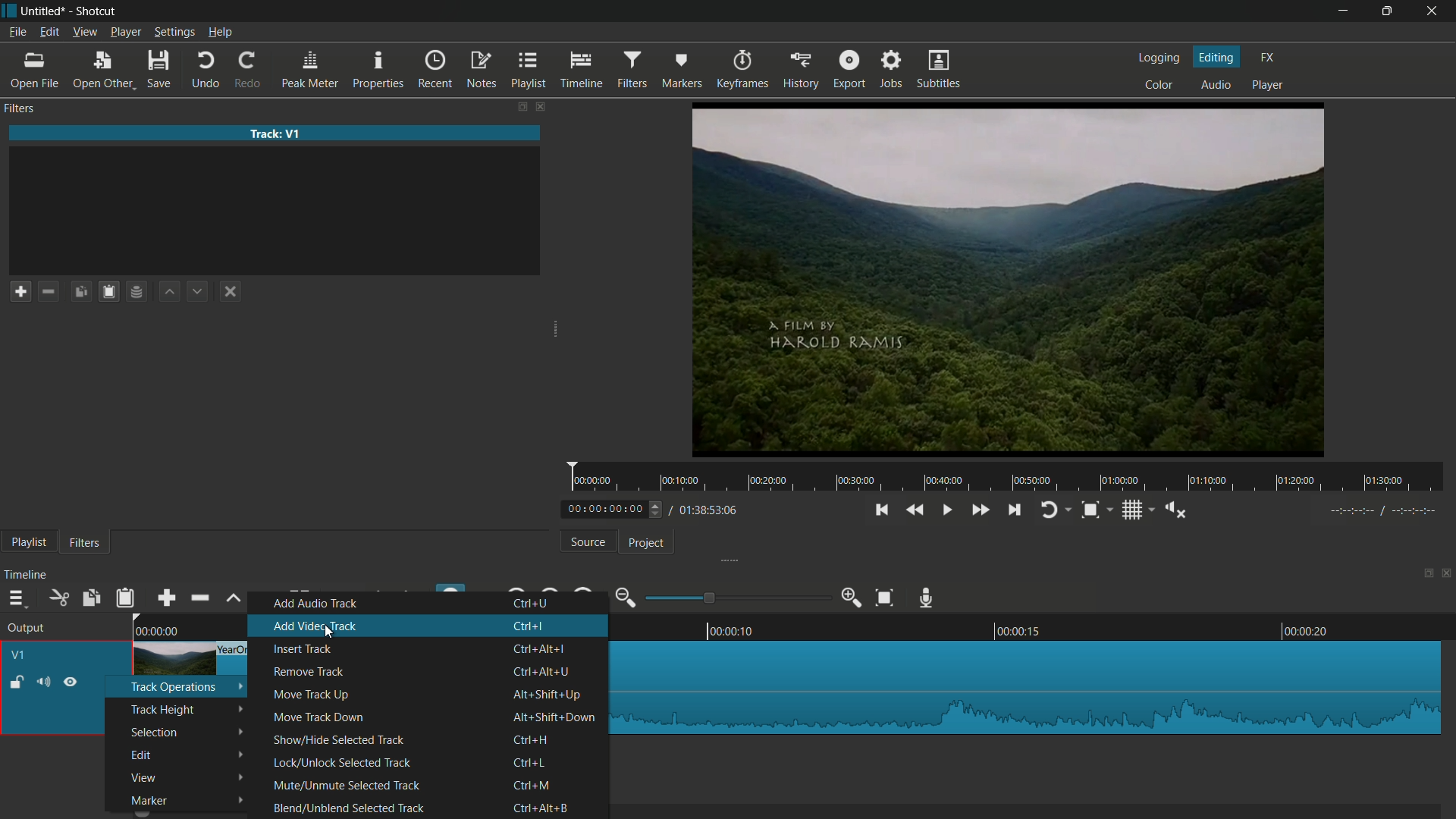 This screenshot has height=819, width=1456. Describe the element at coordinates (631, 71) in the screenshot. I see `filters` at that location.